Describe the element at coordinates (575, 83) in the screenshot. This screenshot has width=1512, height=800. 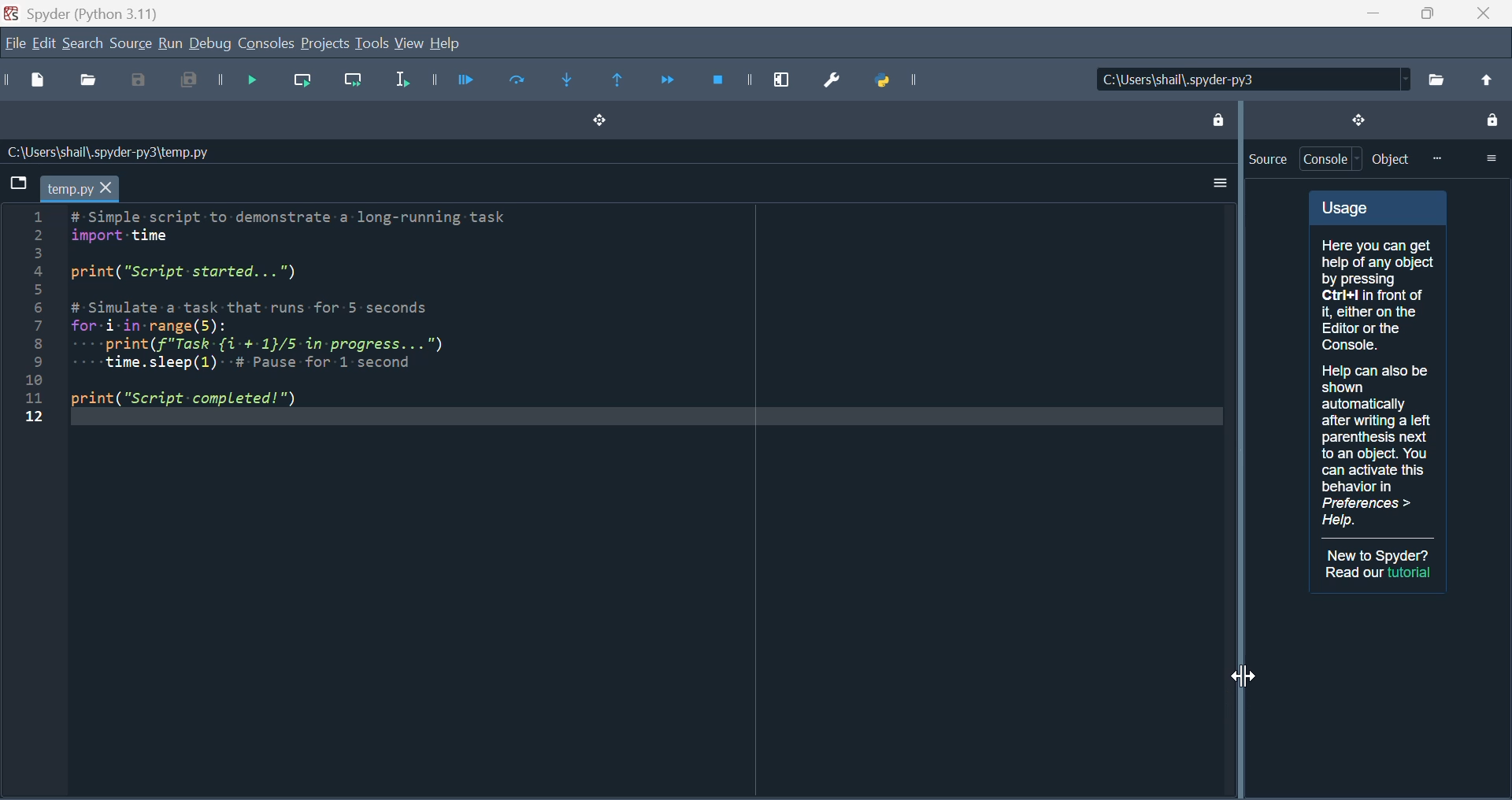
I see `Step into function` at that location.